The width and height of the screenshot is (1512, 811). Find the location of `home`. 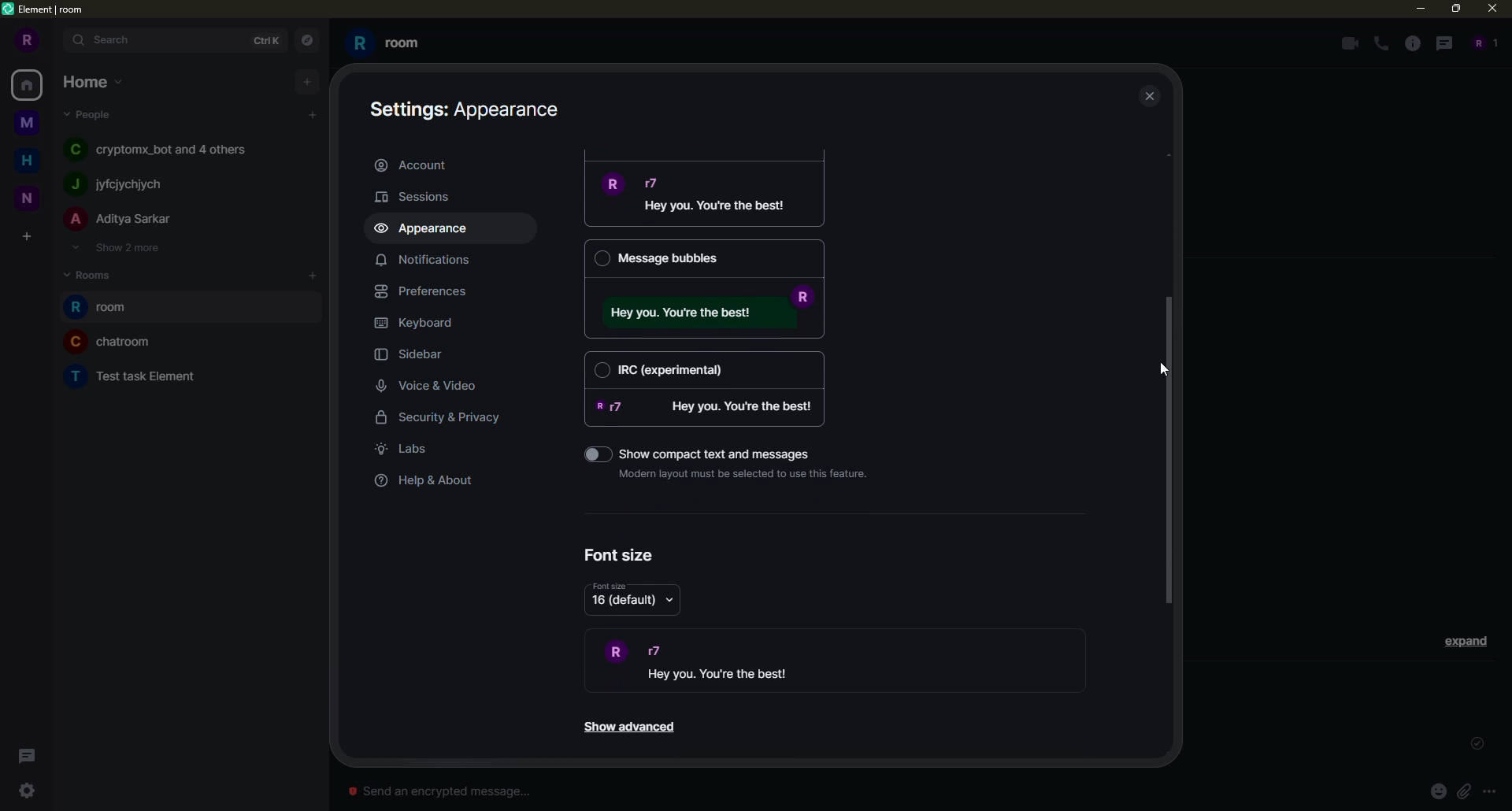

home is located at coordinates (30, 84).